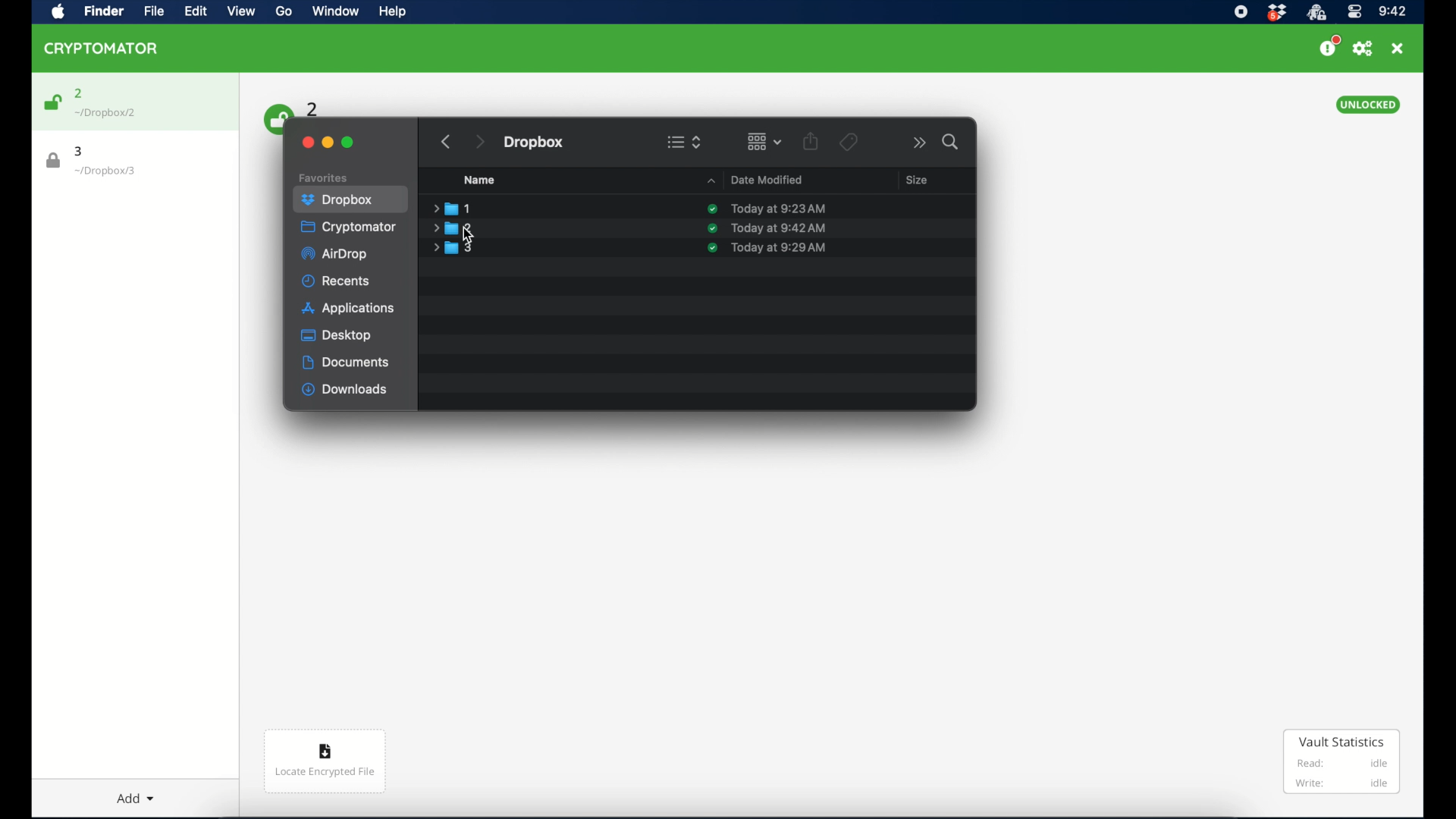 The height and width of the screenshot is (819, 1456). What do you see at coordinates (712, 228) in the screenshot?
I see `sync` at bounding box center [712, 228].